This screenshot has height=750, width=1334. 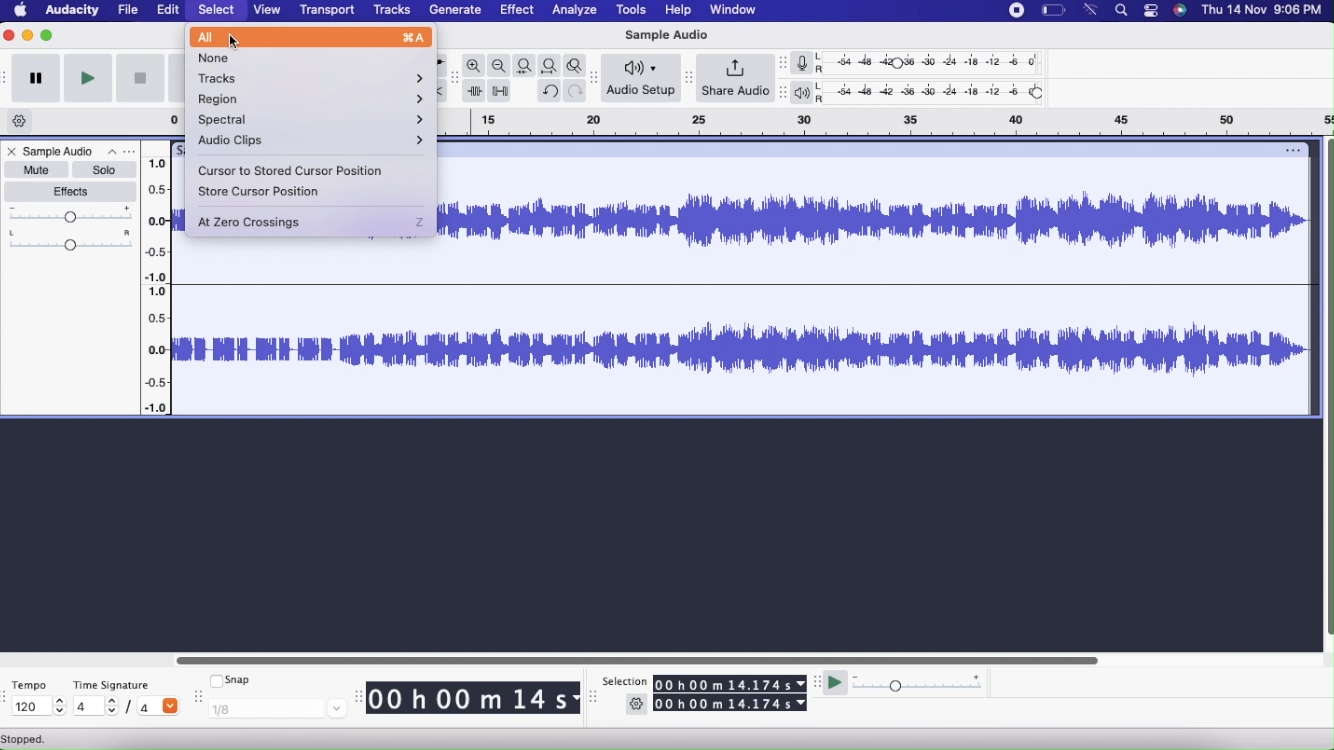 What do you see at coordinates (1125, 11) in the screenshot?
I see `Search ` at bounding box center [1125, 11].